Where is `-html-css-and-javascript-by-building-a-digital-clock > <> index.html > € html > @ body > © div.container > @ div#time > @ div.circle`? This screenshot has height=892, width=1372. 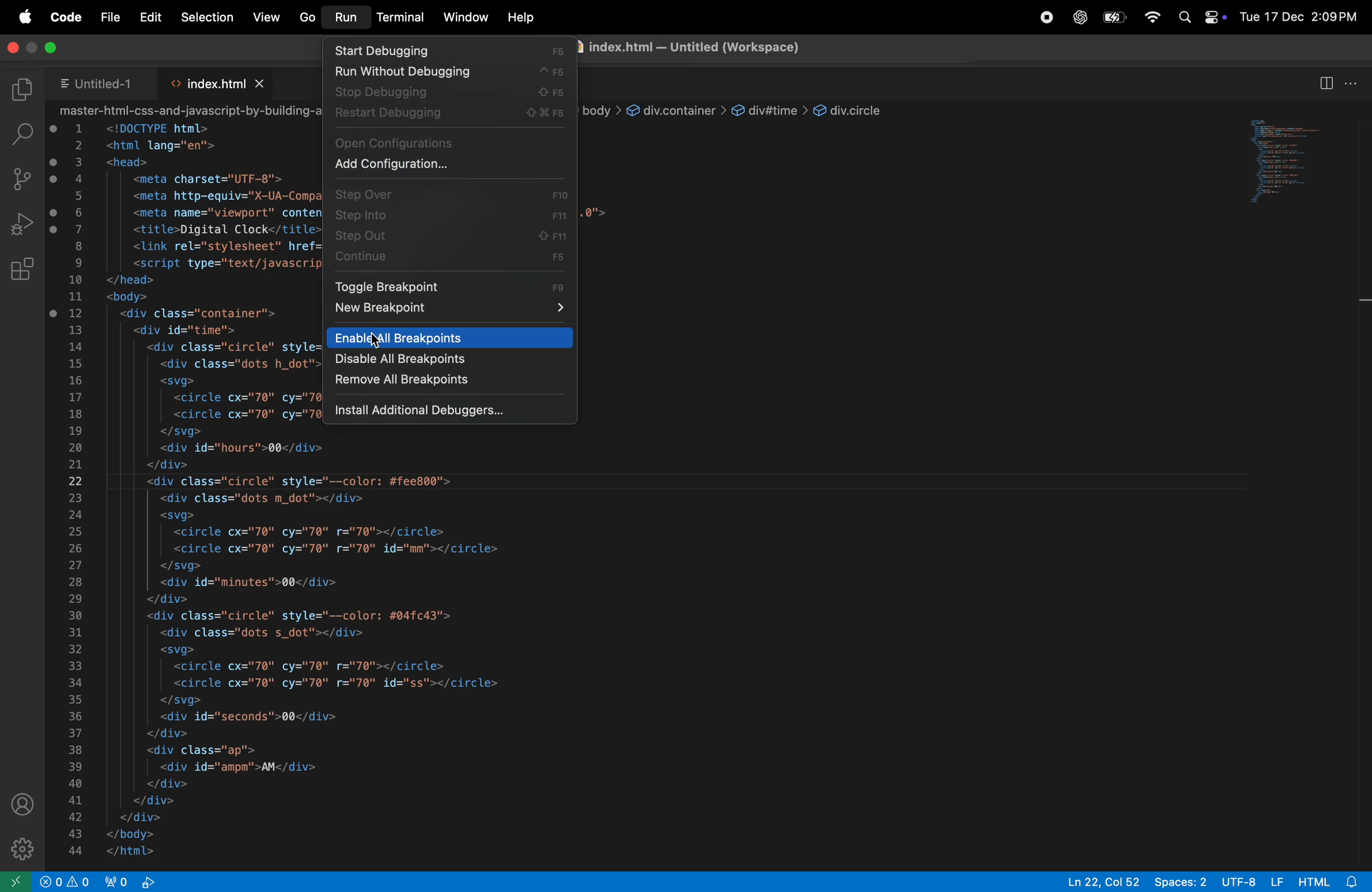
-html-css-and-javascript-by-building-a-digital-clock > <> index.html > € html > @ body > © div.container > @ div#time > @ div.circle is located at coordinates (188, 111).